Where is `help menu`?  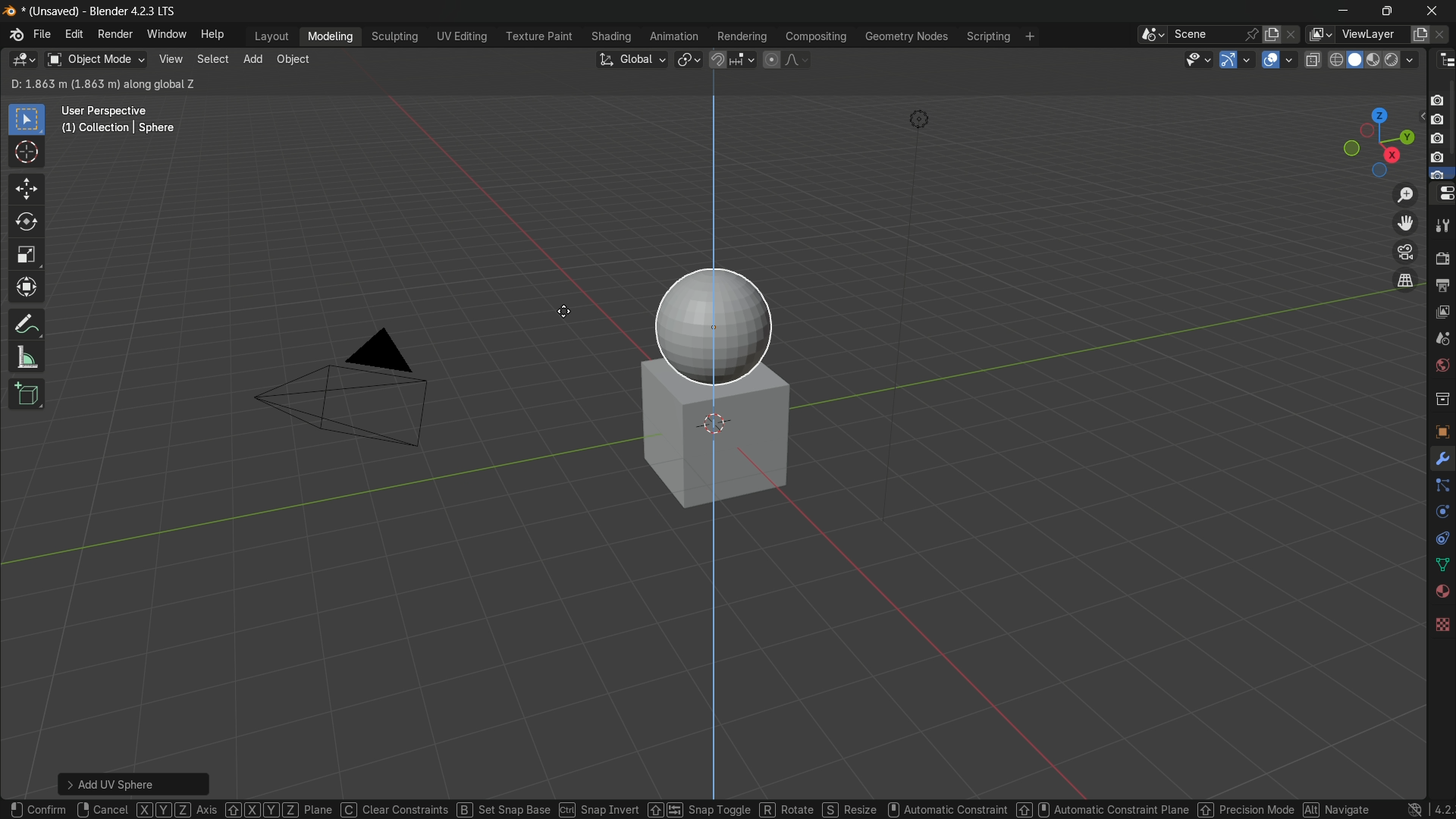
help menu is located at coordinates (212, 33).